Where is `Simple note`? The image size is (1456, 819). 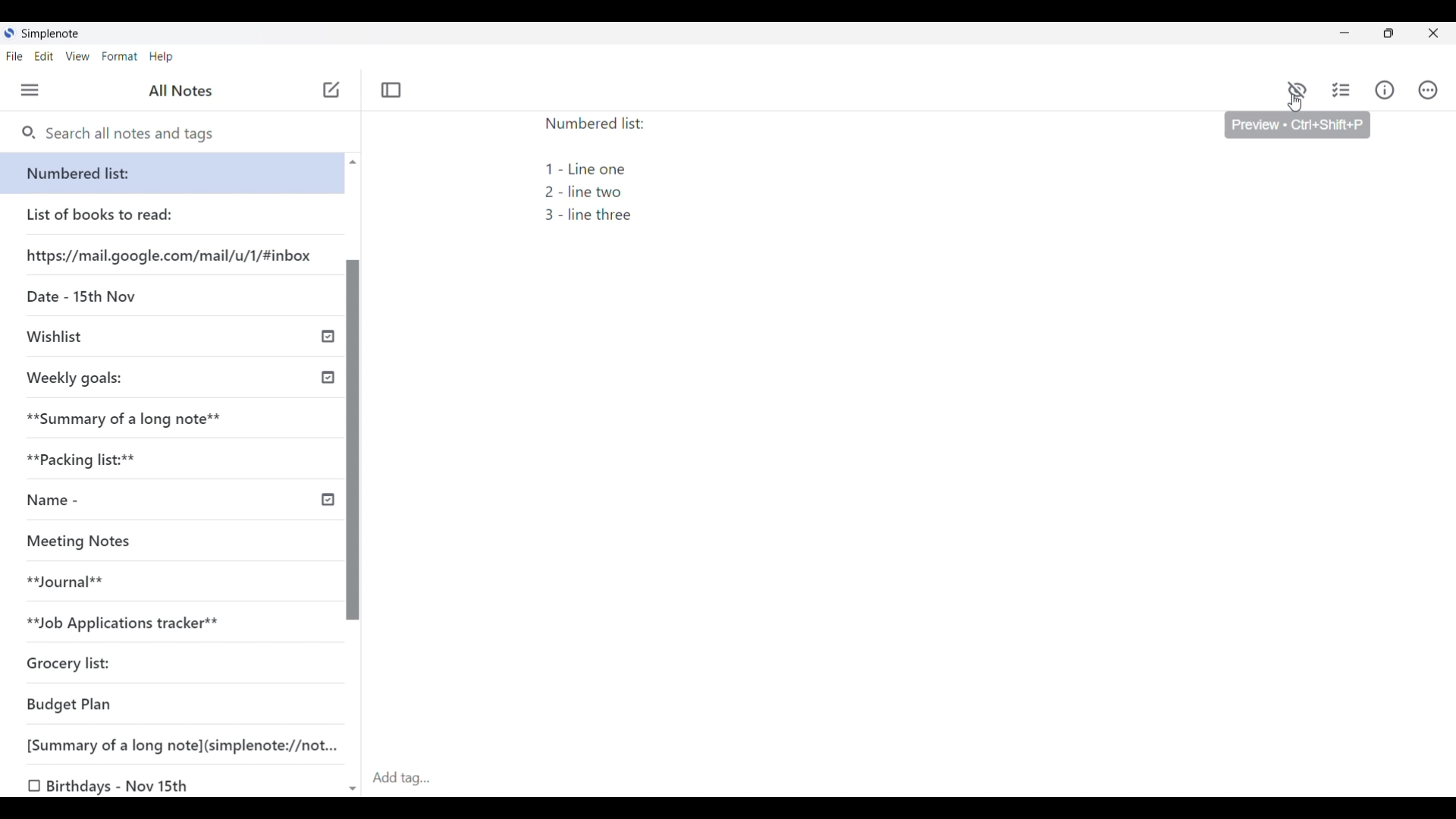 Simple note is located at coordinates (51, 33).